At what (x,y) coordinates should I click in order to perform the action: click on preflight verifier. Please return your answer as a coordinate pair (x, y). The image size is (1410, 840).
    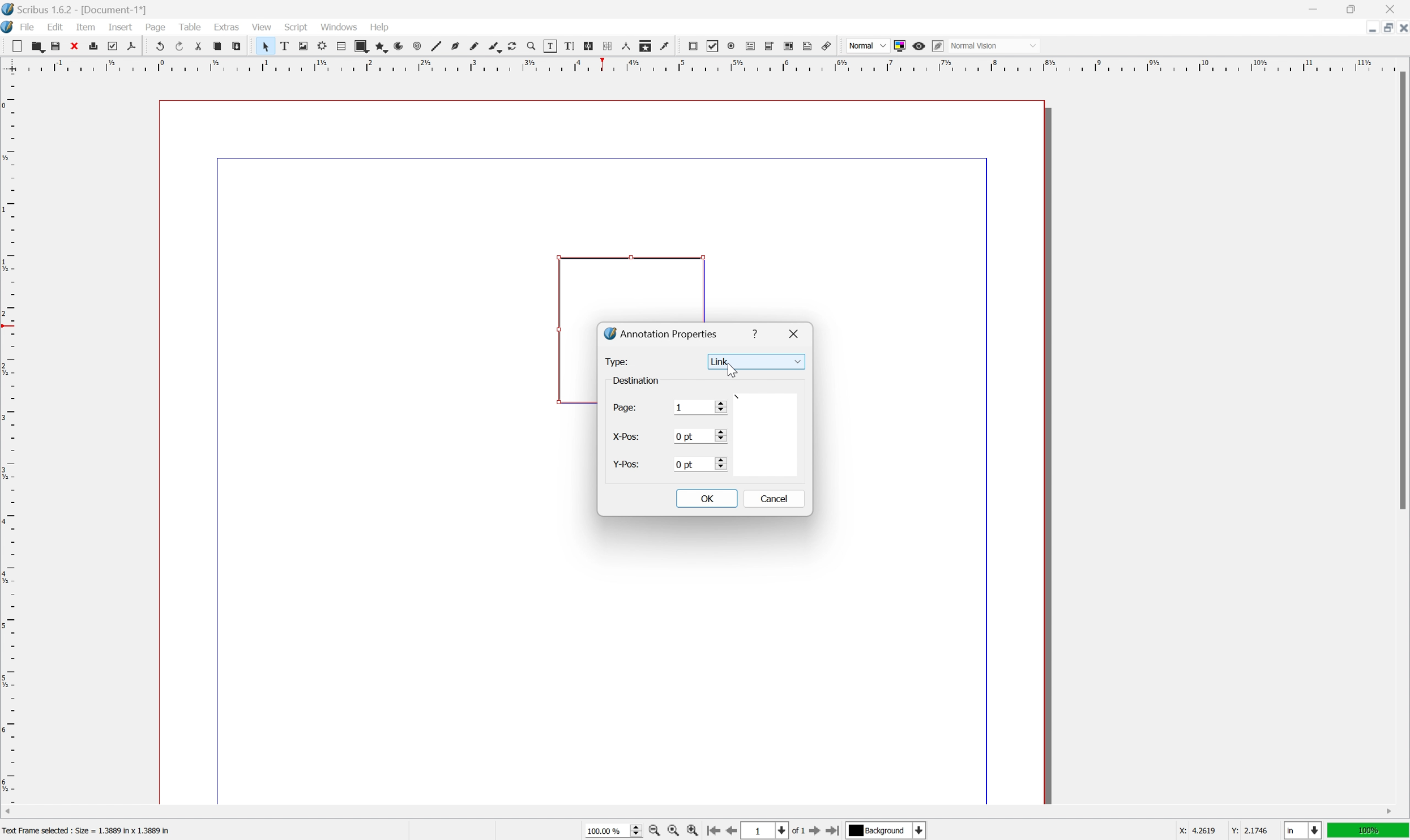
    Looking at the image, I should click on (113, 46).